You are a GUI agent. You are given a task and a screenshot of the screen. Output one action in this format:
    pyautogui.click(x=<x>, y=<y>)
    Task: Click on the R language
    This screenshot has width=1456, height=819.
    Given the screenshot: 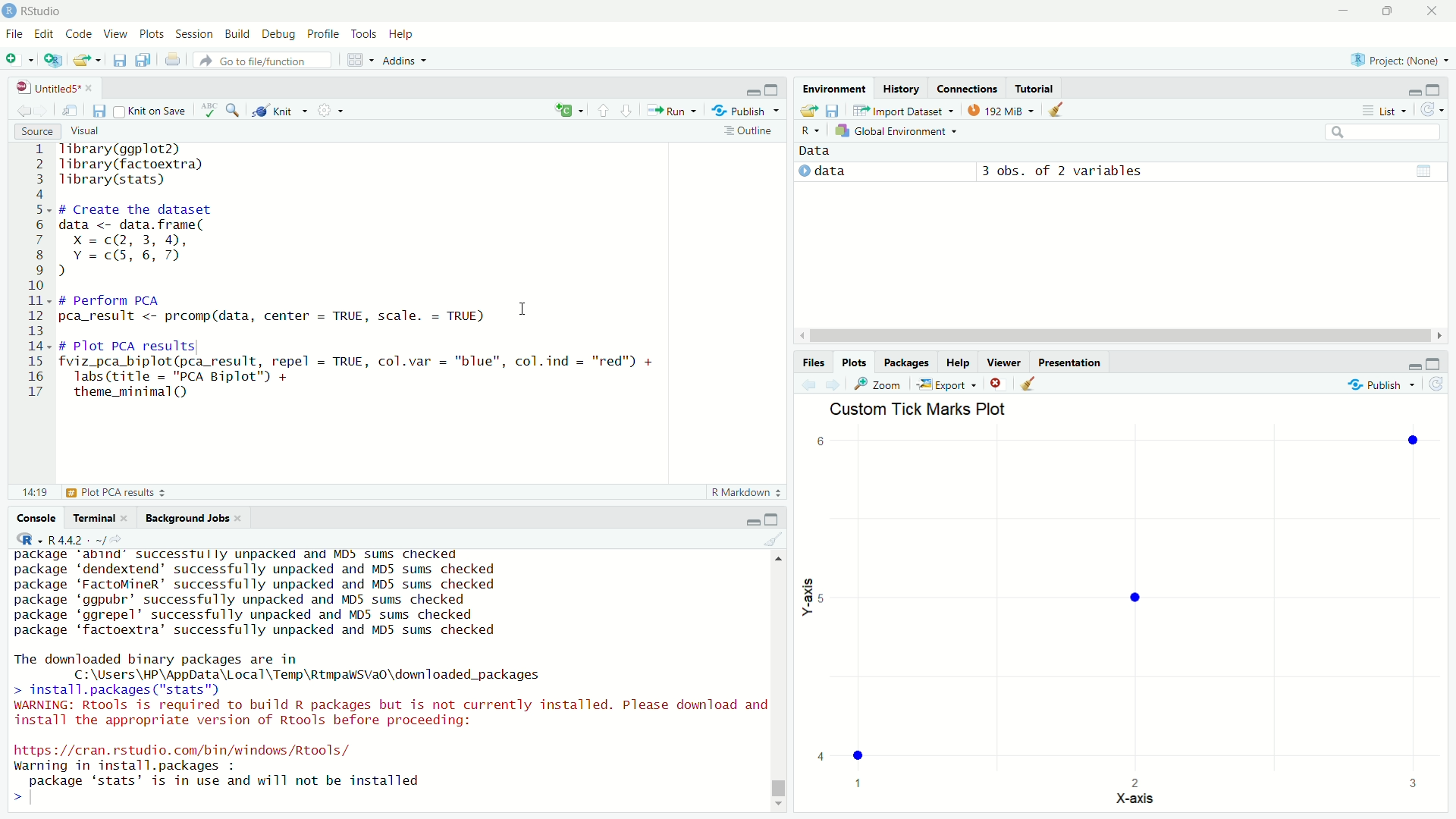 What is the action you would take?
    pyautogui.click(x=811, y=130)
    